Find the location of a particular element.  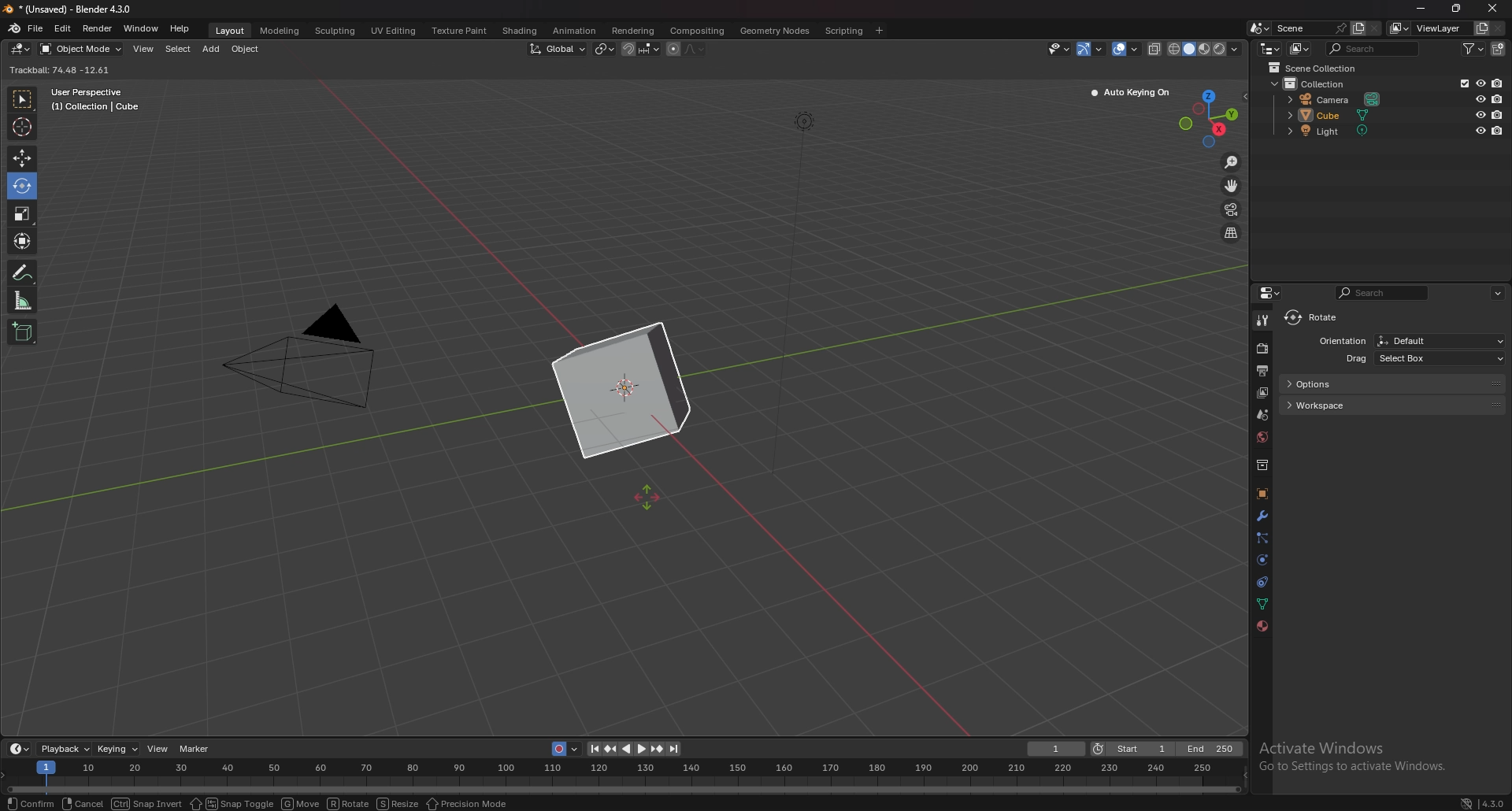

view port shading is located at coordinates (1206, 49).